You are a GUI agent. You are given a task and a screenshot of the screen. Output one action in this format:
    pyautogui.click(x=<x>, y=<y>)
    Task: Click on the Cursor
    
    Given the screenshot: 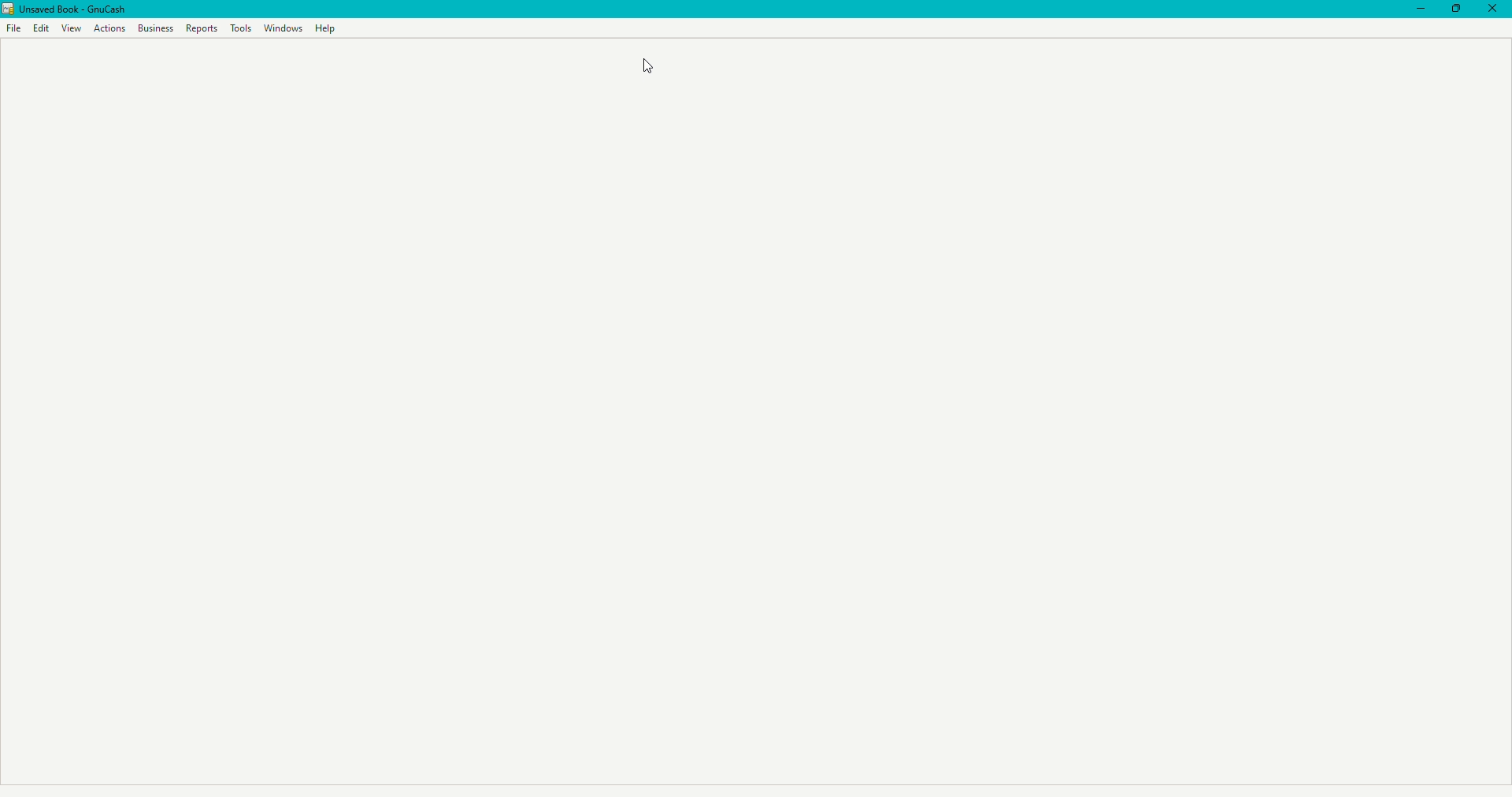 What is the action you would take?
    pyautogui.click(x=650, y=63)
    